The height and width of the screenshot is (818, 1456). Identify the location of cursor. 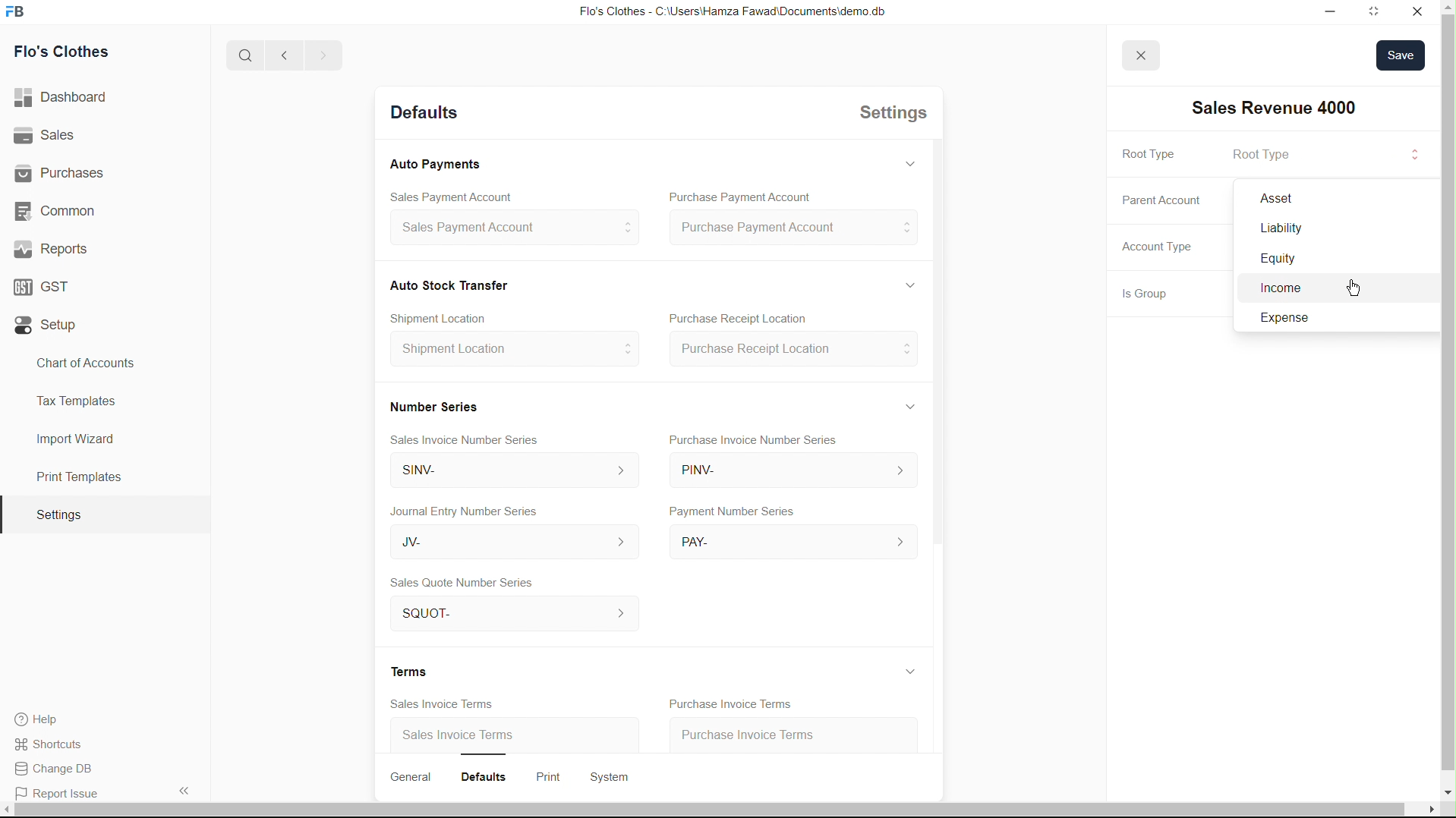
(1351, 287).